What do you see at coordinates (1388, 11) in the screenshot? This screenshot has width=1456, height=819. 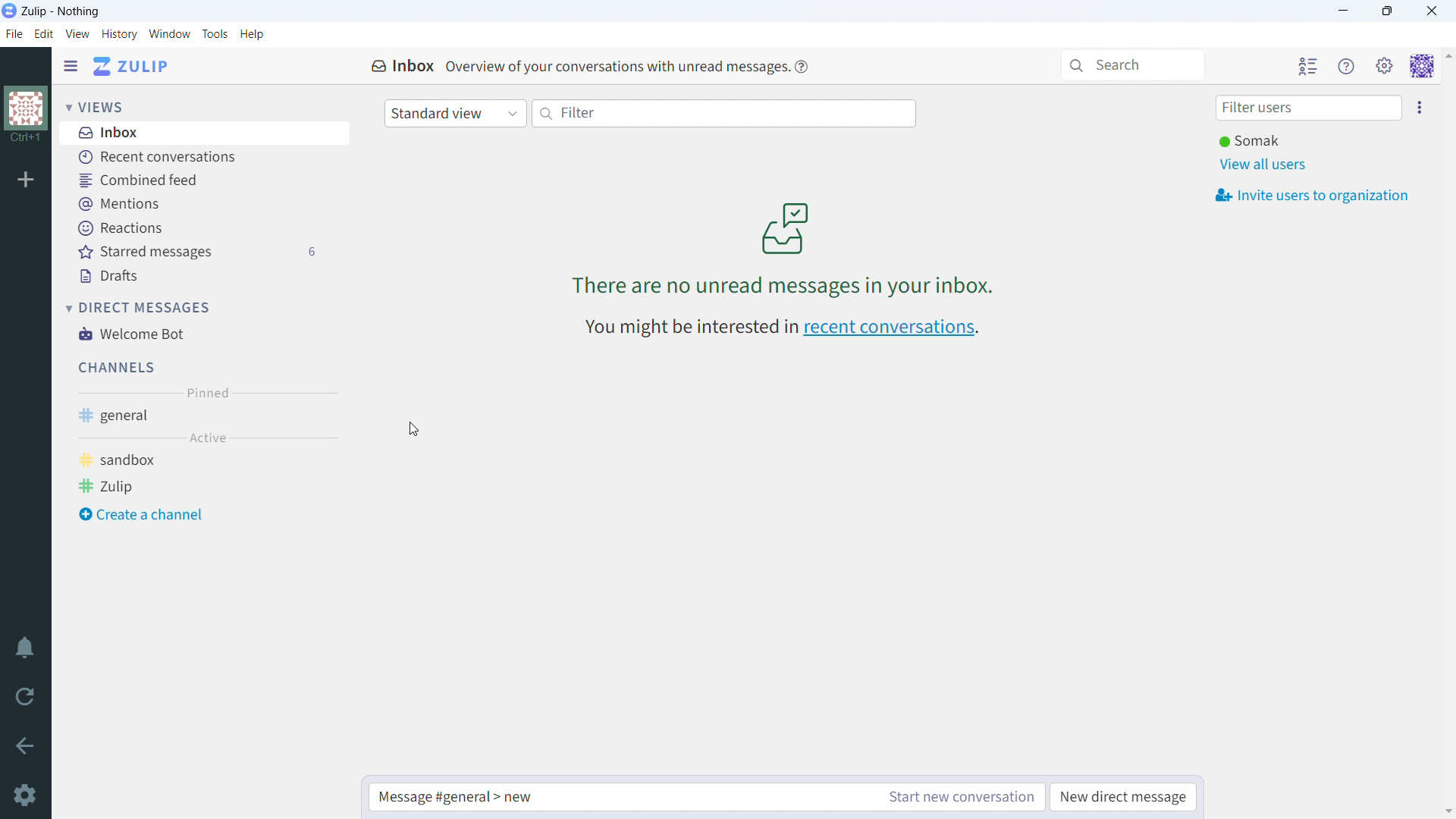 I see `maximize` at bounding box center [1388, 11].